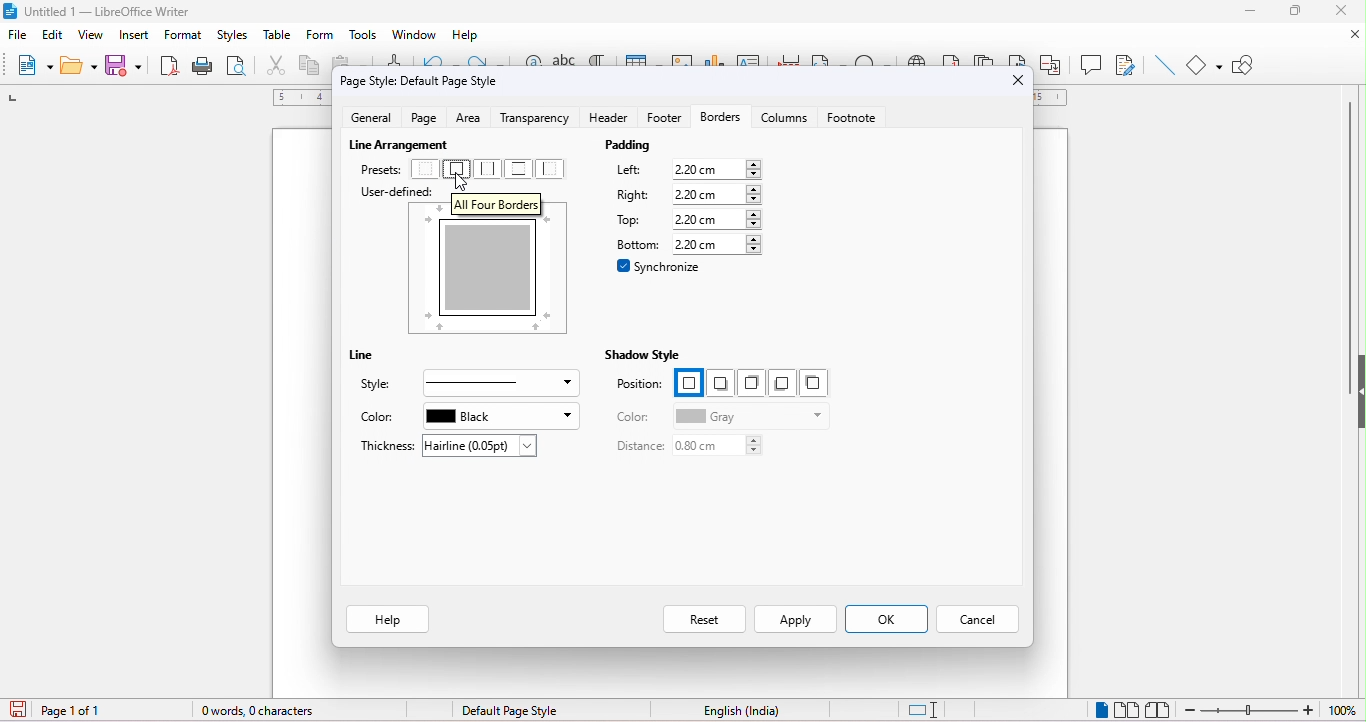  I want to click on open, so click(77, 68).